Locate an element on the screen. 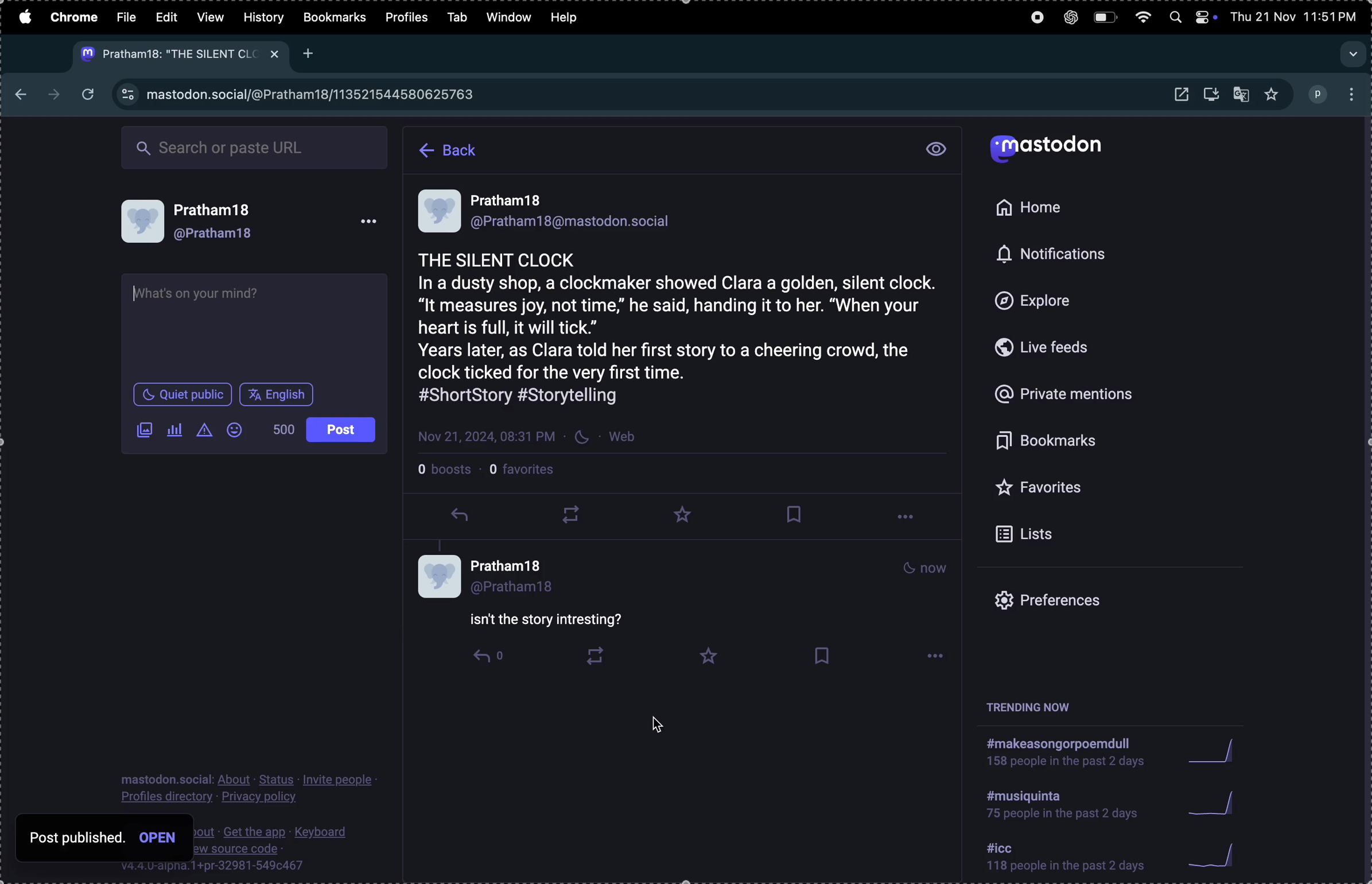 Image resolution: width=1372 pixels, height=884 pixels. quietplace is located at coordinates (183, 393).